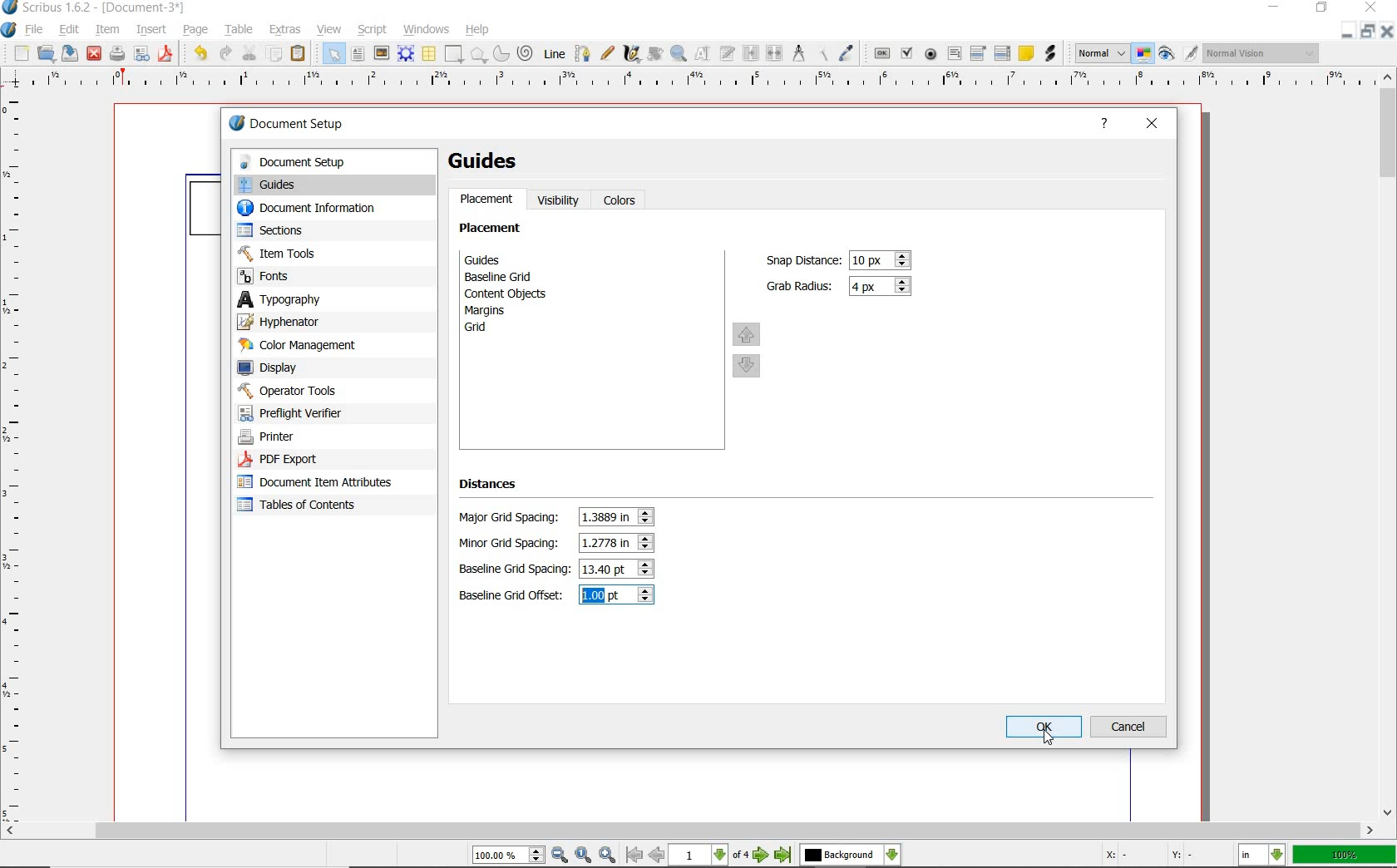  Describe the element at coordinates (1370, 32) in the screenshot. I see `restore` at that location.